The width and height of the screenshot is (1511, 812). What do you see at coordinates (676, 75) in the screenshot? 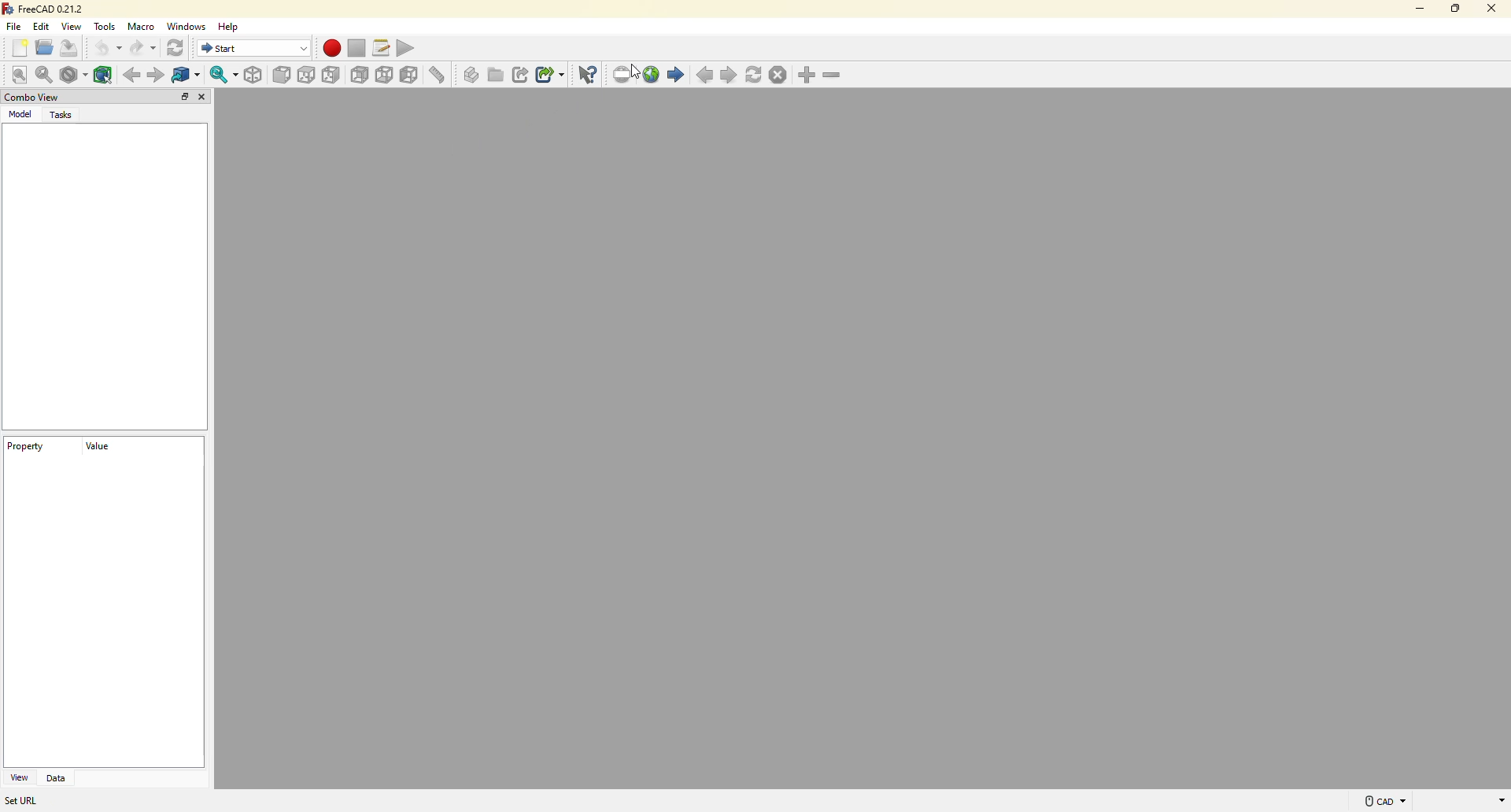
I see `start page` at bounding box center [676, 75].